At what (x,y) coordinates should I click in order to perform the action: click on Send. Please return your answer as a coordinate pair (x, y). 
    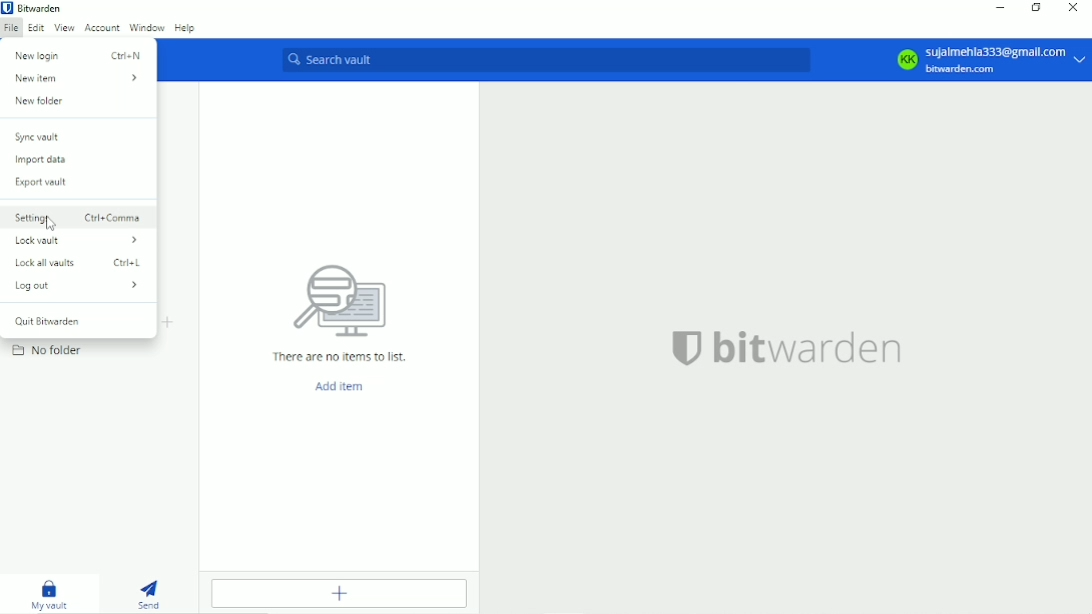
    Looking at the image, I should click on (154, 595).